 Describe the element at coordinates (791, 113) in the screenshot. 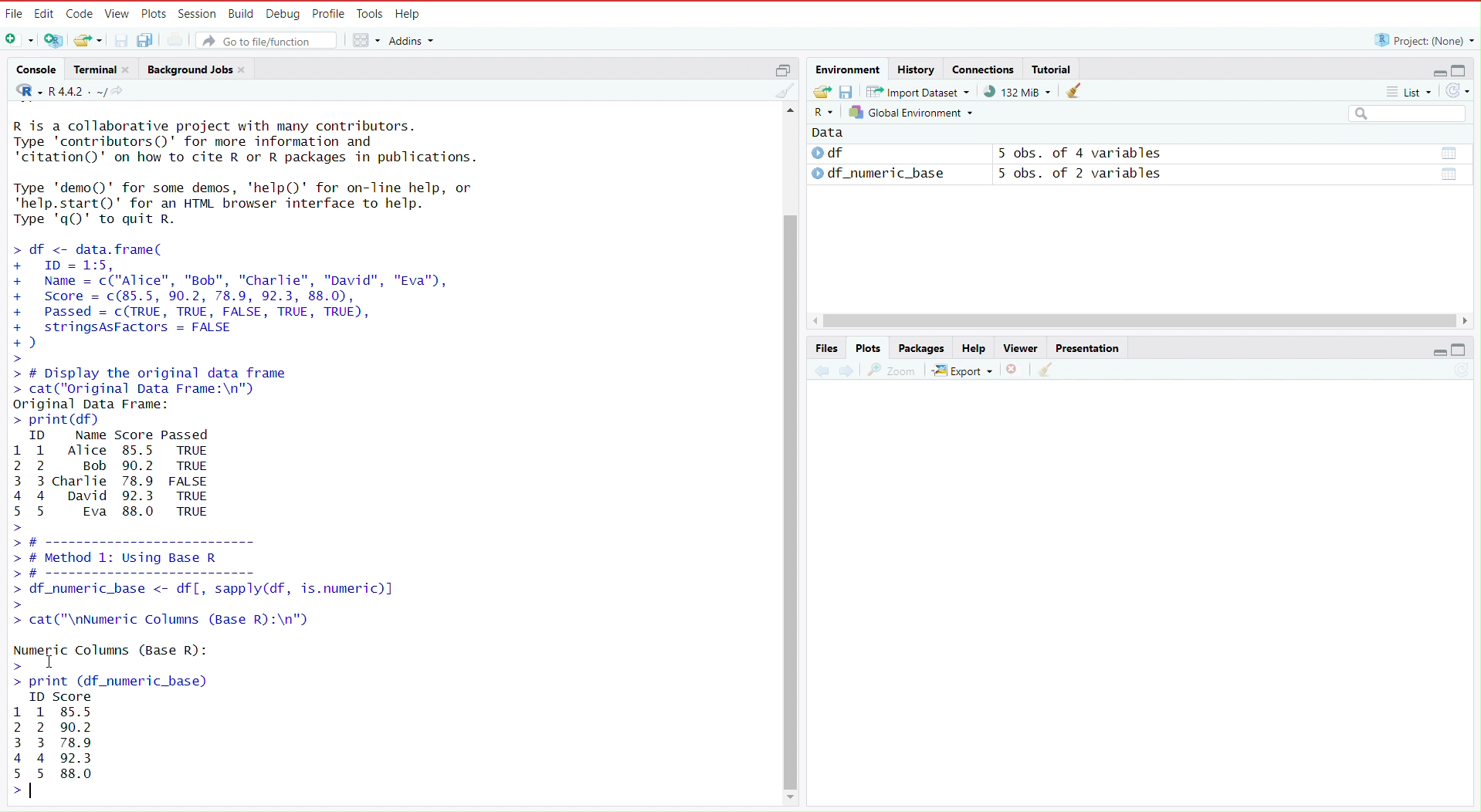

I see `Move up` at that location.